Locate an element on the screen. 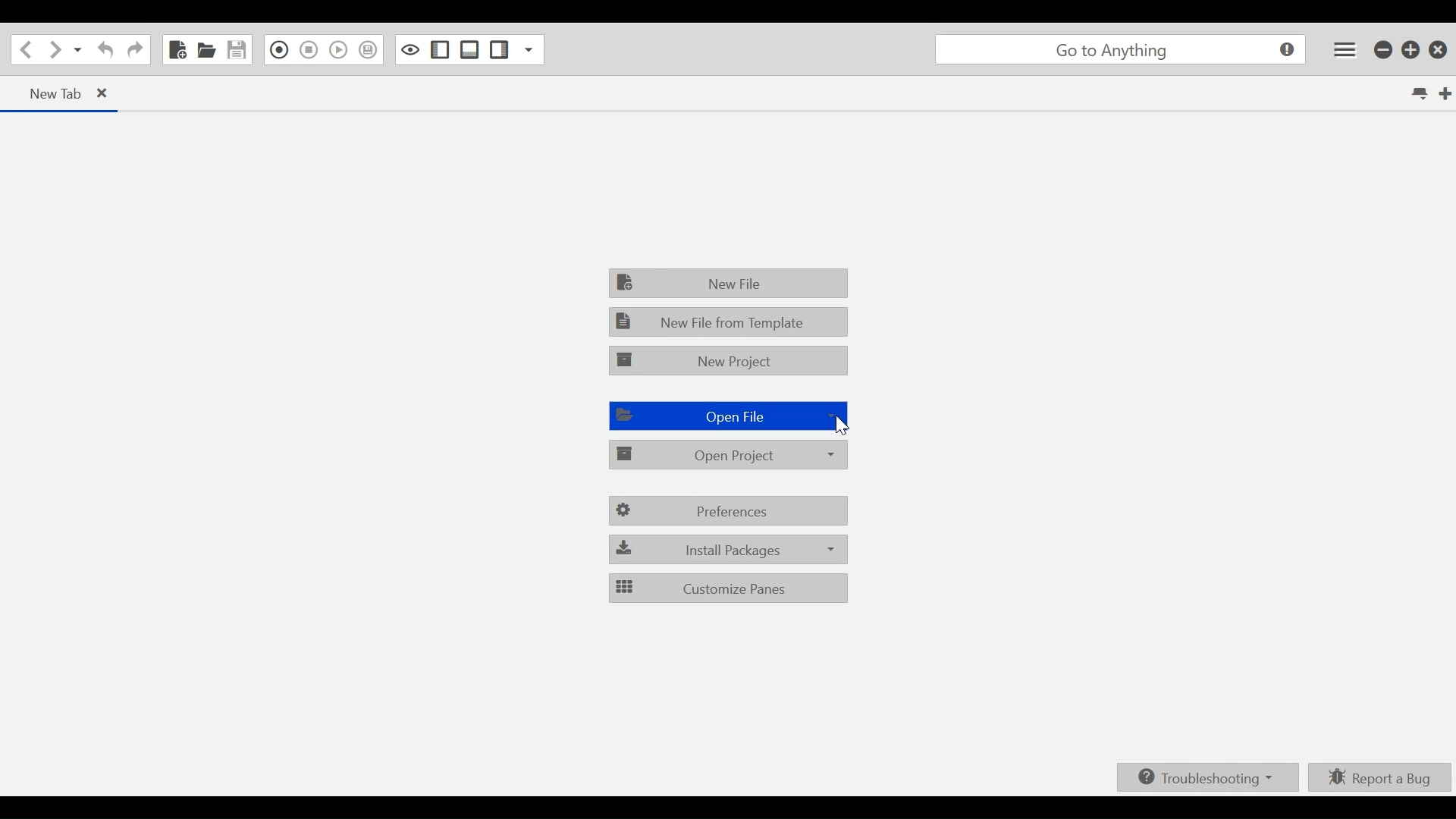 This screenshot has height=819, width=1456. Show/Hide Left Pane is located at coordinates (440, 50).